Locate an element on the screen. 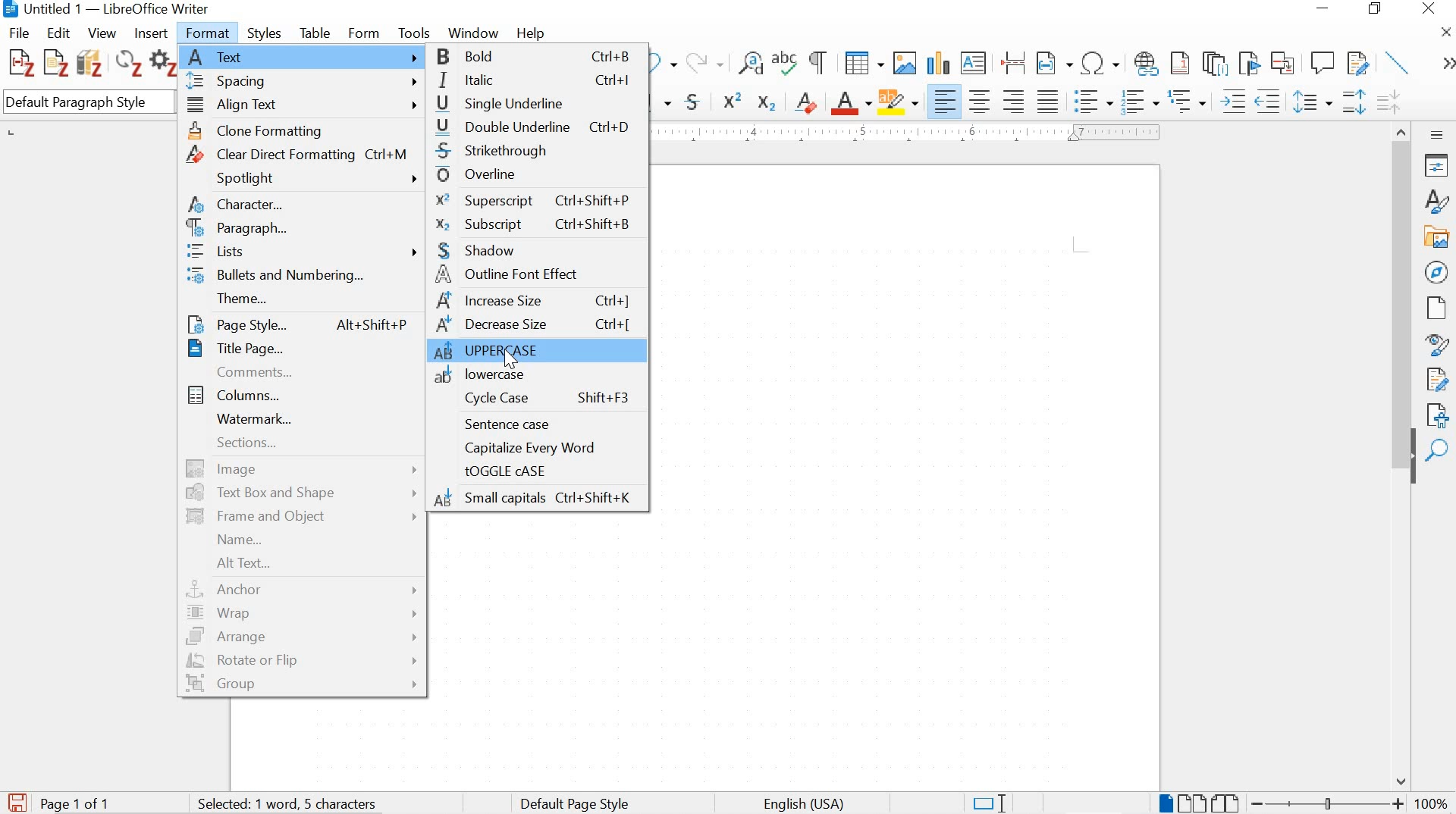 The height and width of the screenshot is (814, 1456). frame and object is located at coordinates (301, 517).